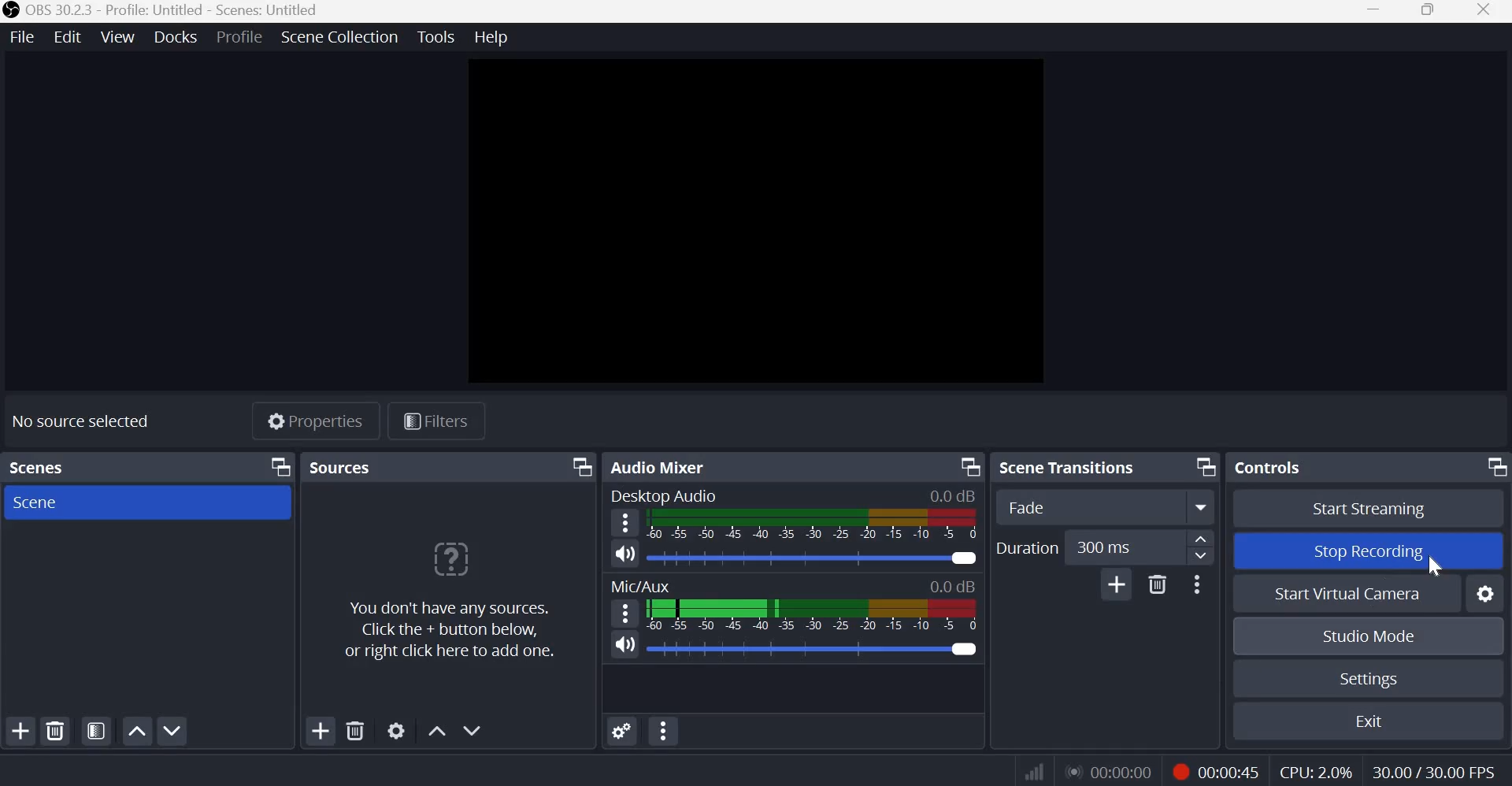 The height and width of the screenshot is (786, 1512). I want to click on Hamburger menu, so click(627, 523).